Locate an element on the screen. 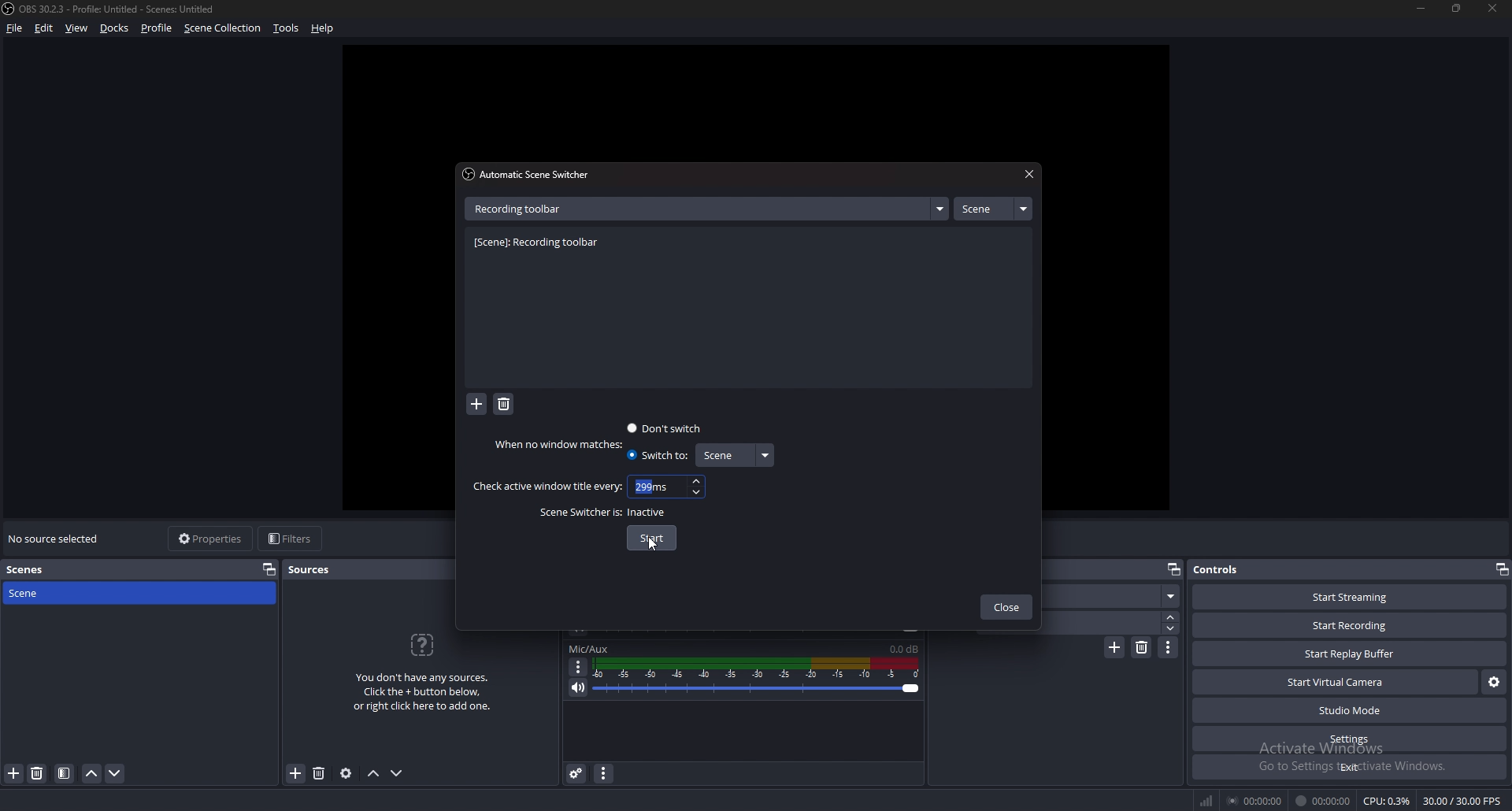 The image size is (1512, 811). add is located at coordinates (477, 405).